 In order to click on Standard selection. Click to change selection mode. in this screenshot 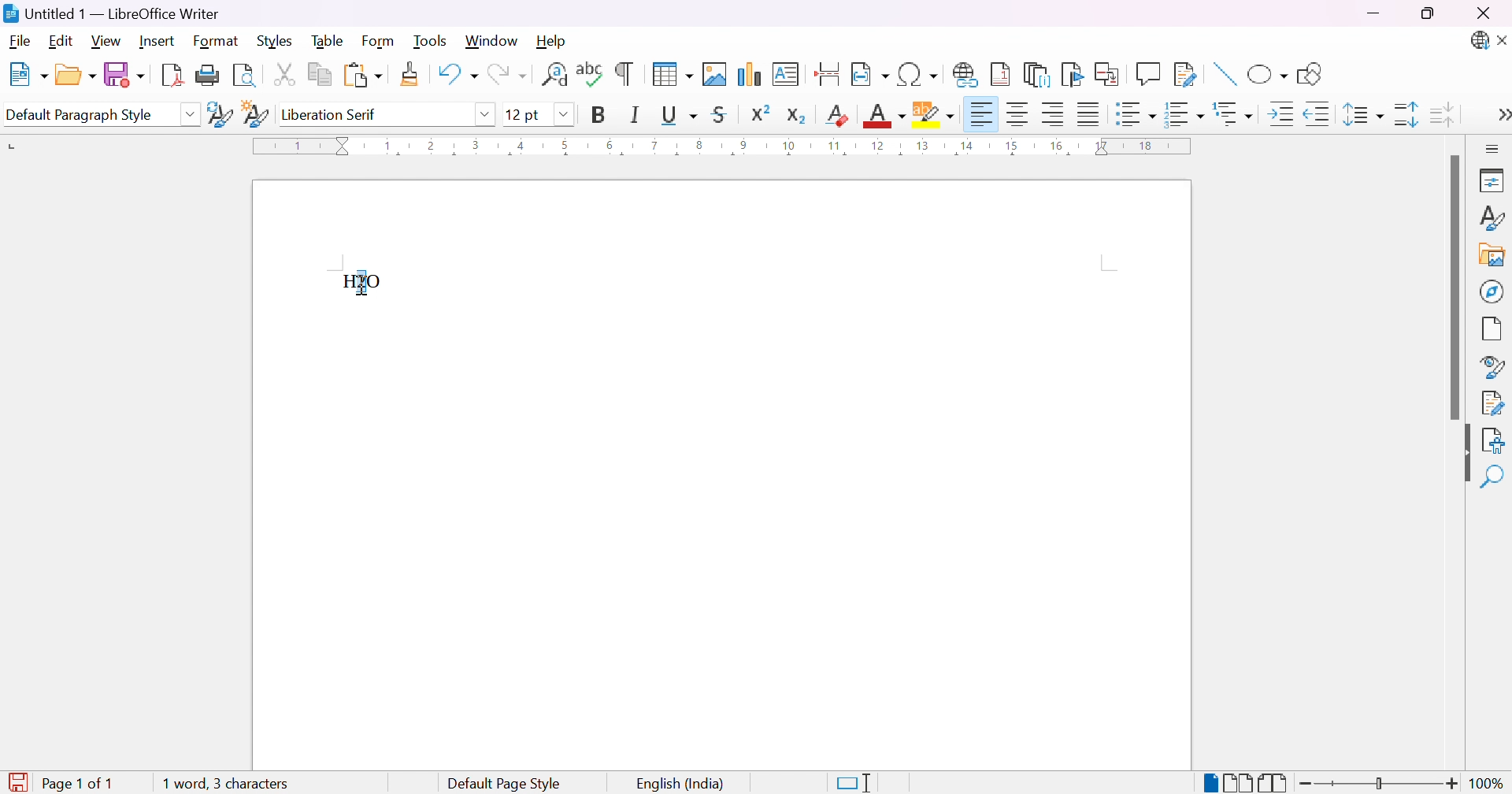, I will do `click(854, 783)`.